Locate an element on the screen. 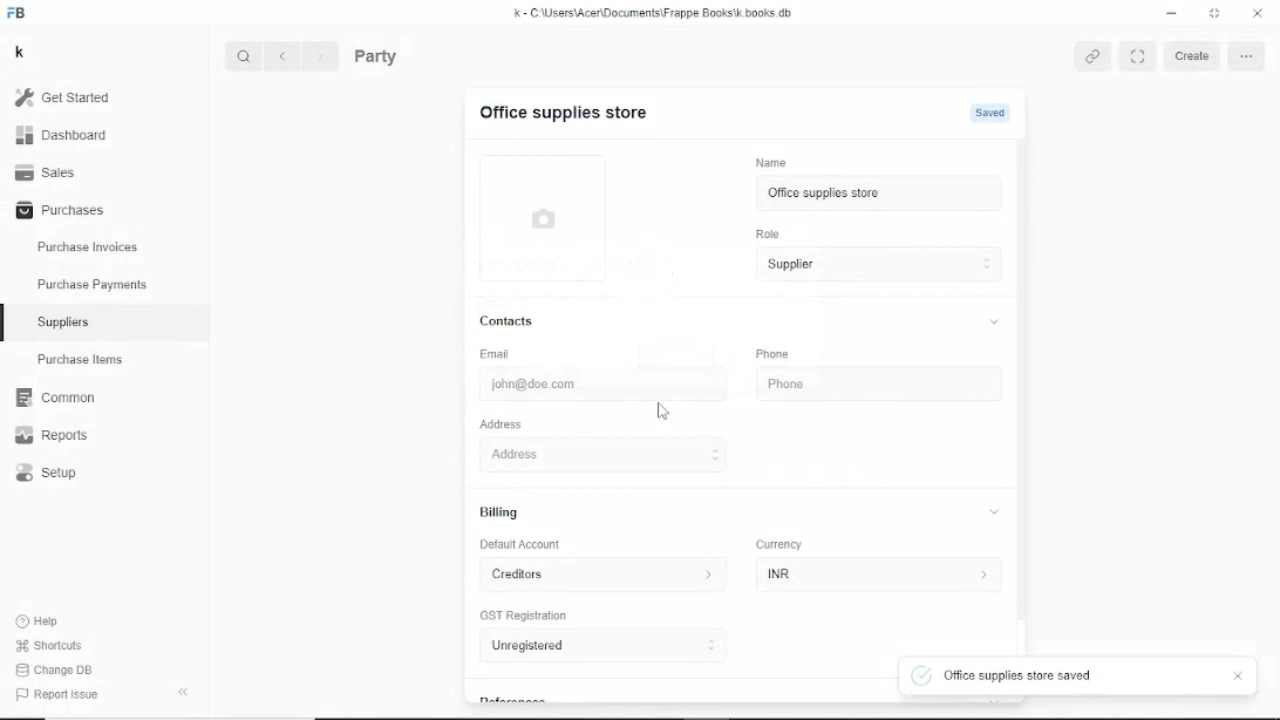  Close notification is located at coordinates (1239, 677).